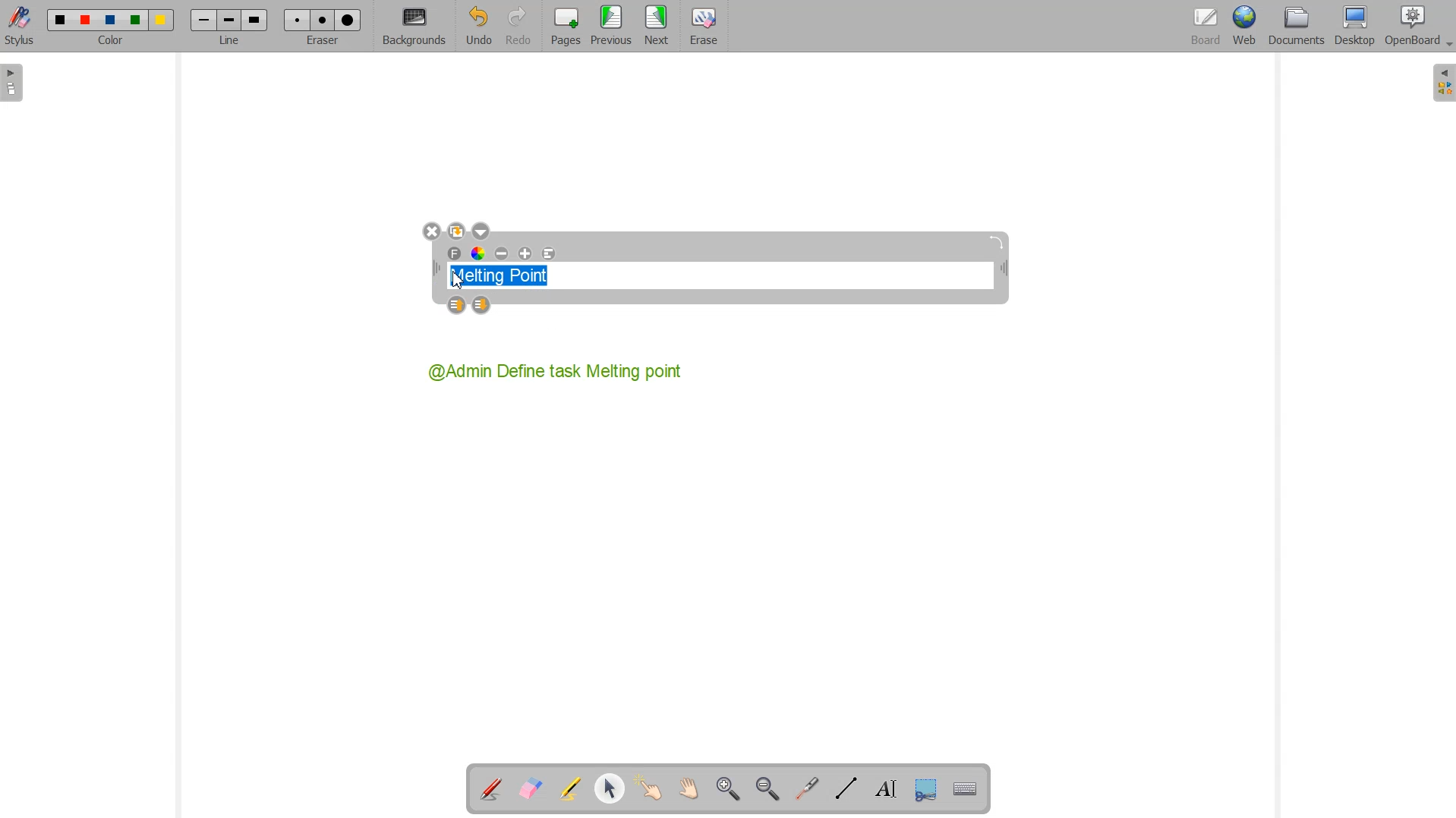 This screenshot has width=1456, height=818. I want to click on Minimize text size, so click(503, 254).